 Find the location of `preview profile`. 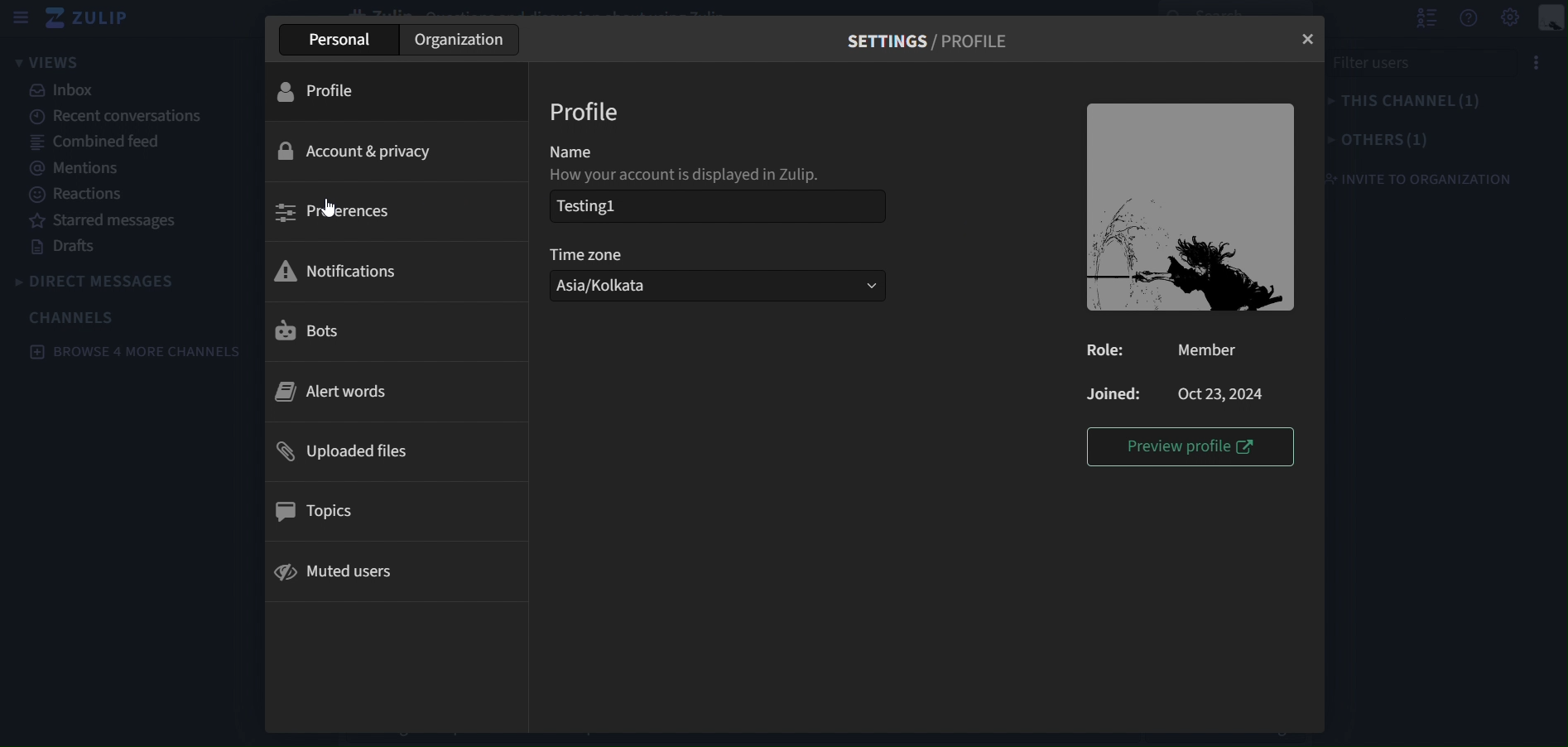

preview profile is located at coordinates (1191, 445).